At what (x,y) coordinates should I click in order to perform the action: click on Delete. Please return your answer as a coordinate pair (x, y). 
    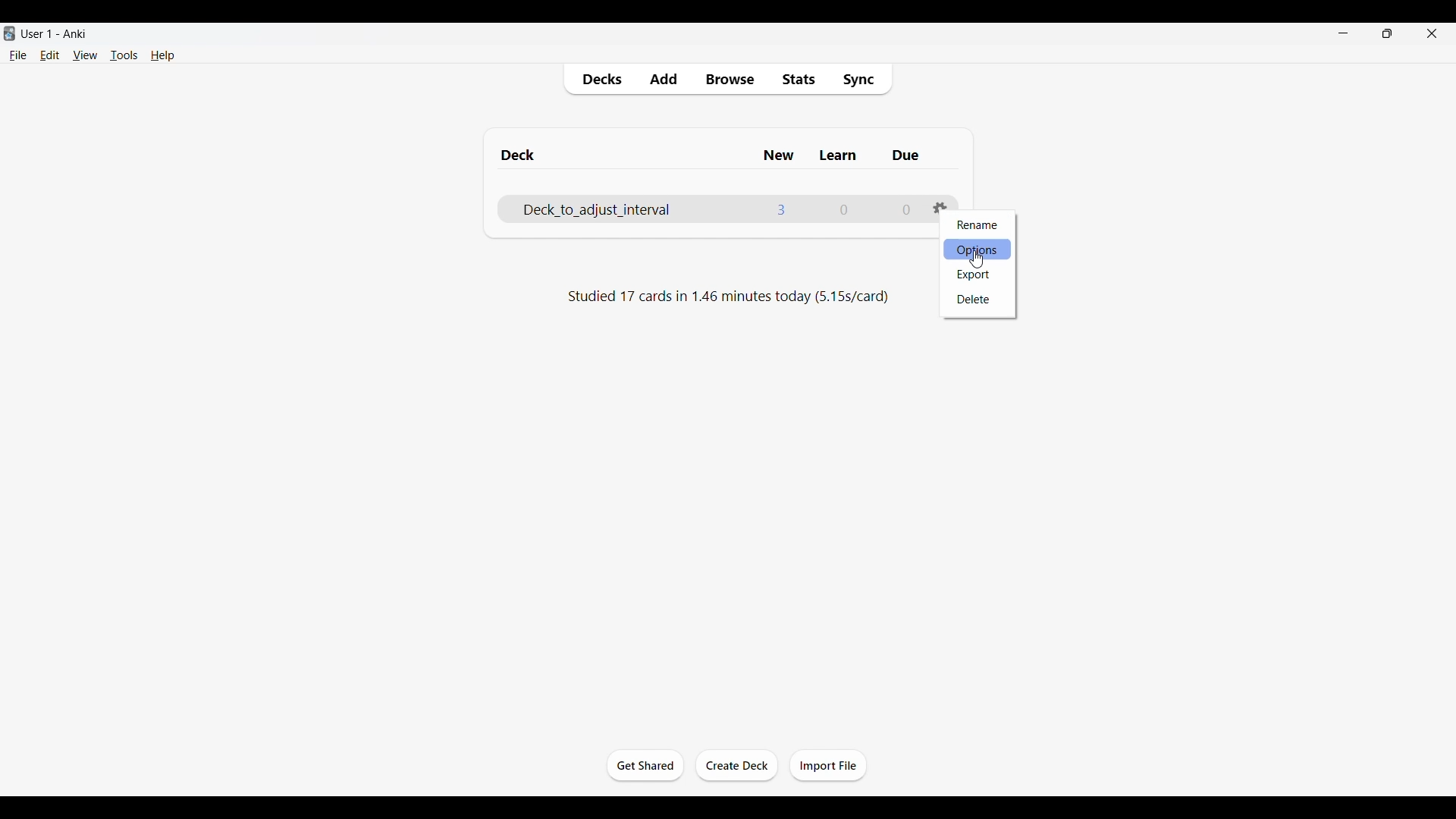
    Looking at the image, I should click on (980, 300).